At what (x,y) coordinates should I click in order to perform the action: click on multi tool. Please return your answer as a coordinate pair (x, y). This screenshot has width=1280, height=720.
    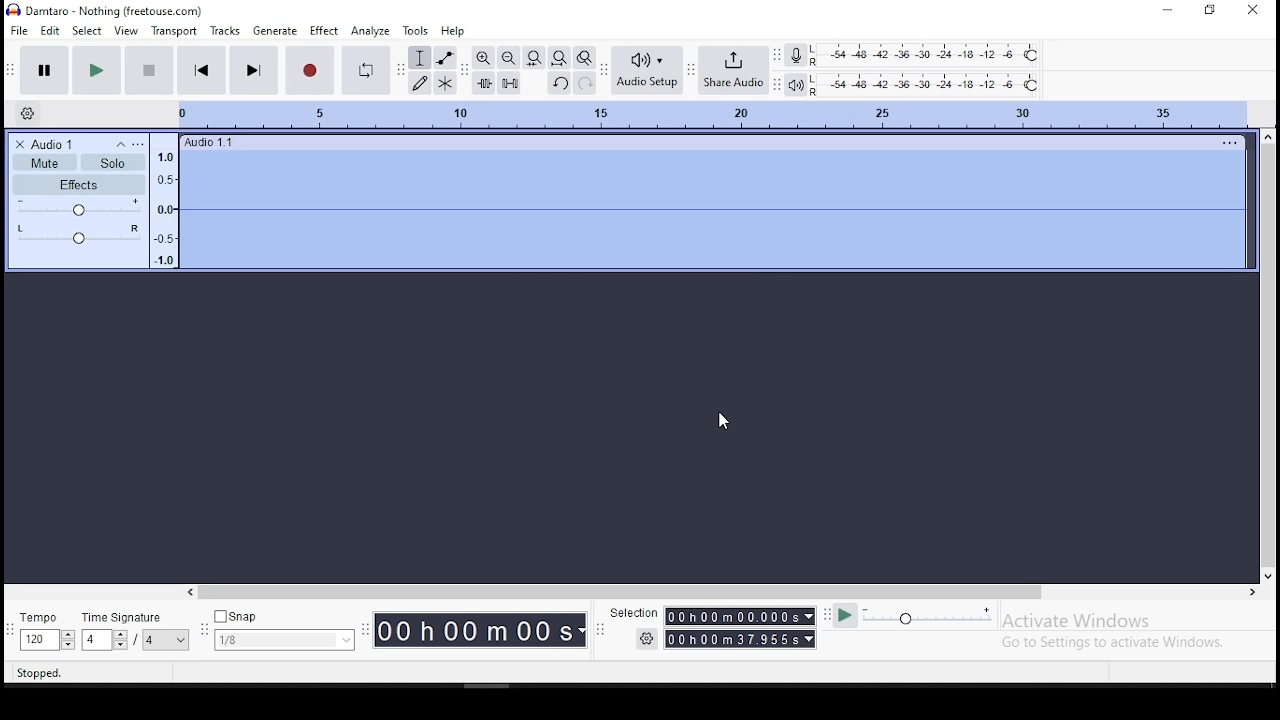
    Looking at the image, I should click on (445, 83).